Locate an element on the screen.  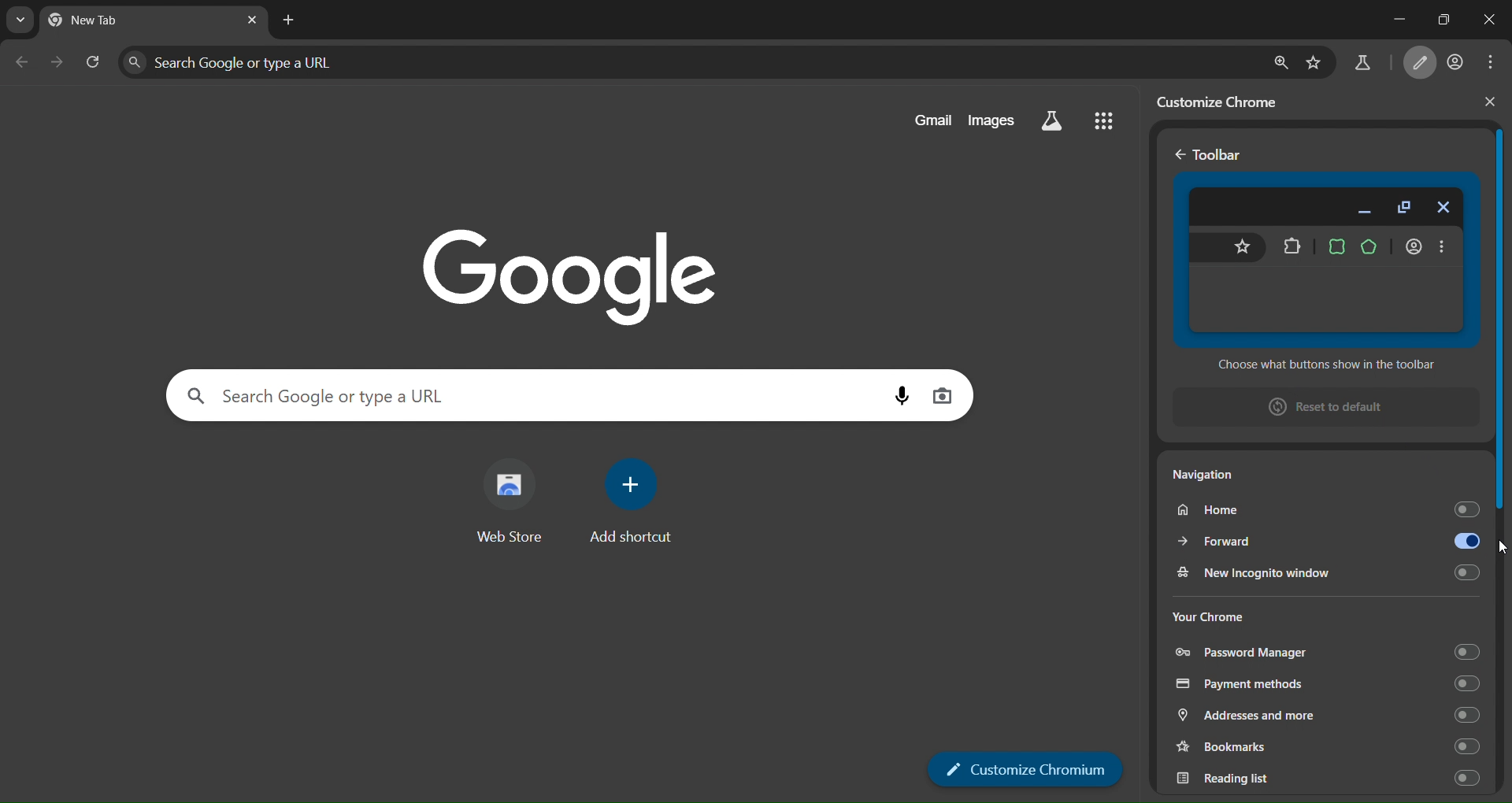
current tab is located at coordinates (105, 23).